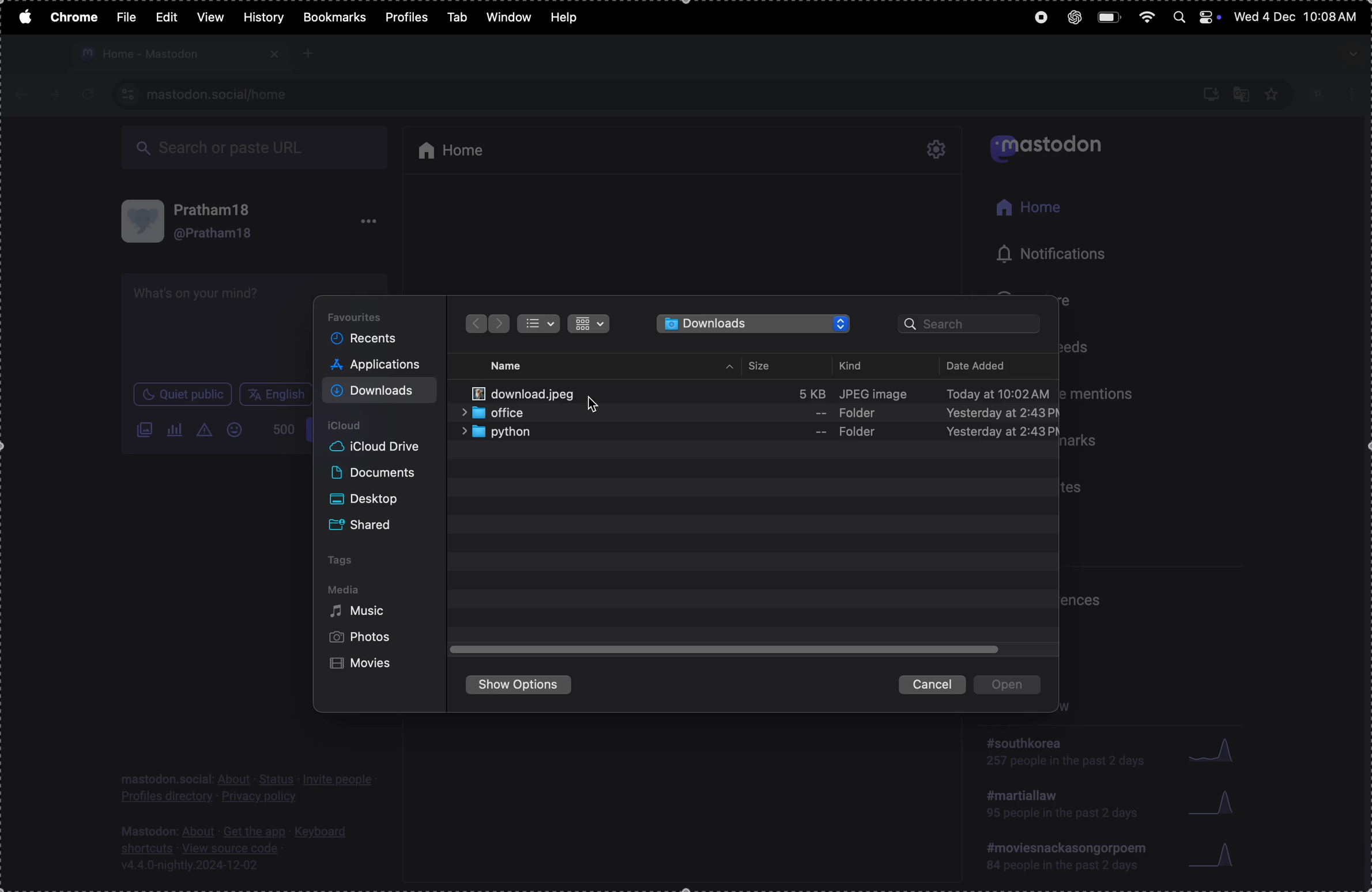 This screenshot has height=892, width=1372. What do you see at coordinates (1363, 504) in the screenshot?
I see `scrollbar` at bounding box center [1363, 504].